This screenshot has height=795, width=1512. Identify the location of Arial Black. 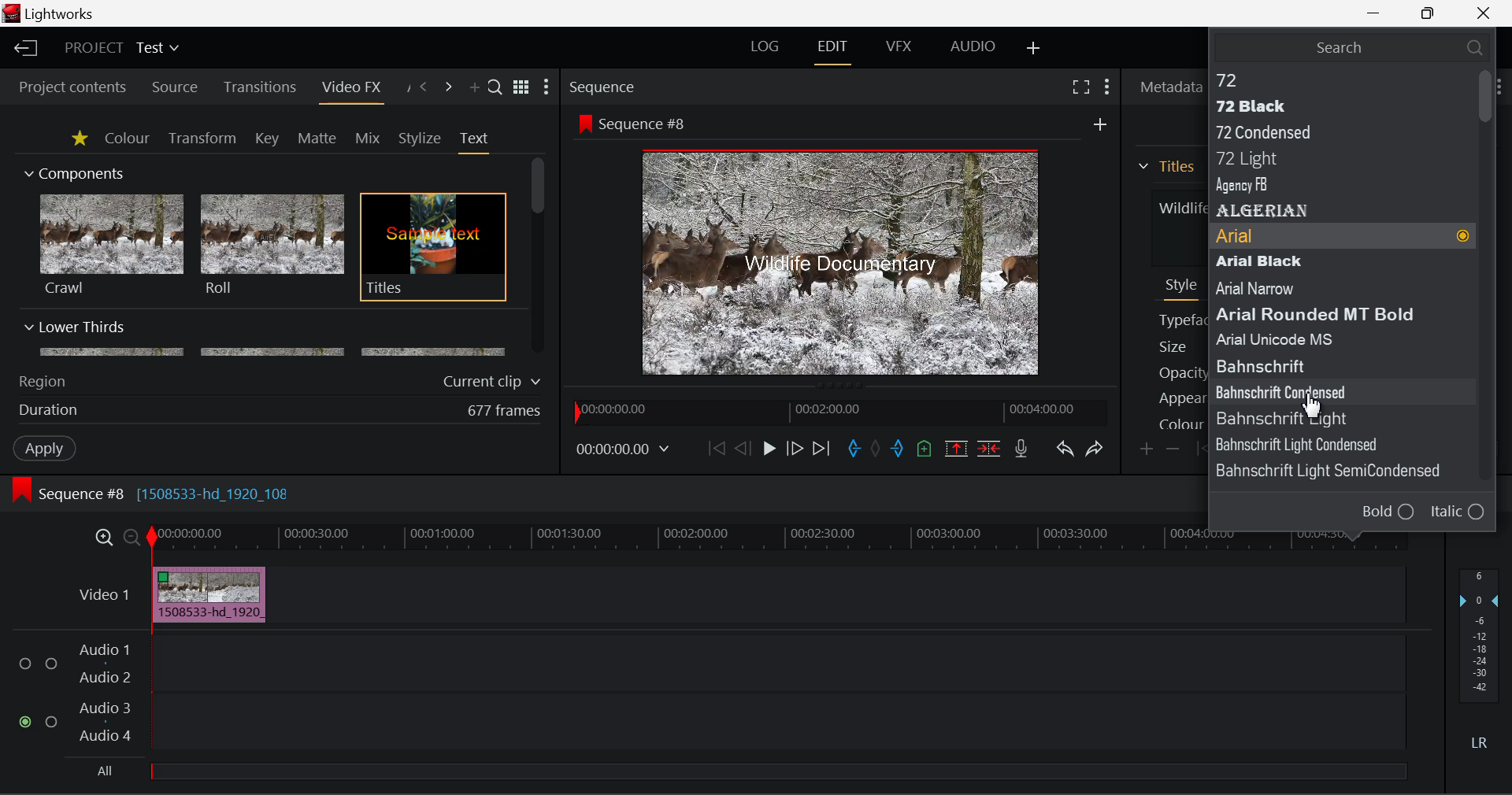
(1315, 262).